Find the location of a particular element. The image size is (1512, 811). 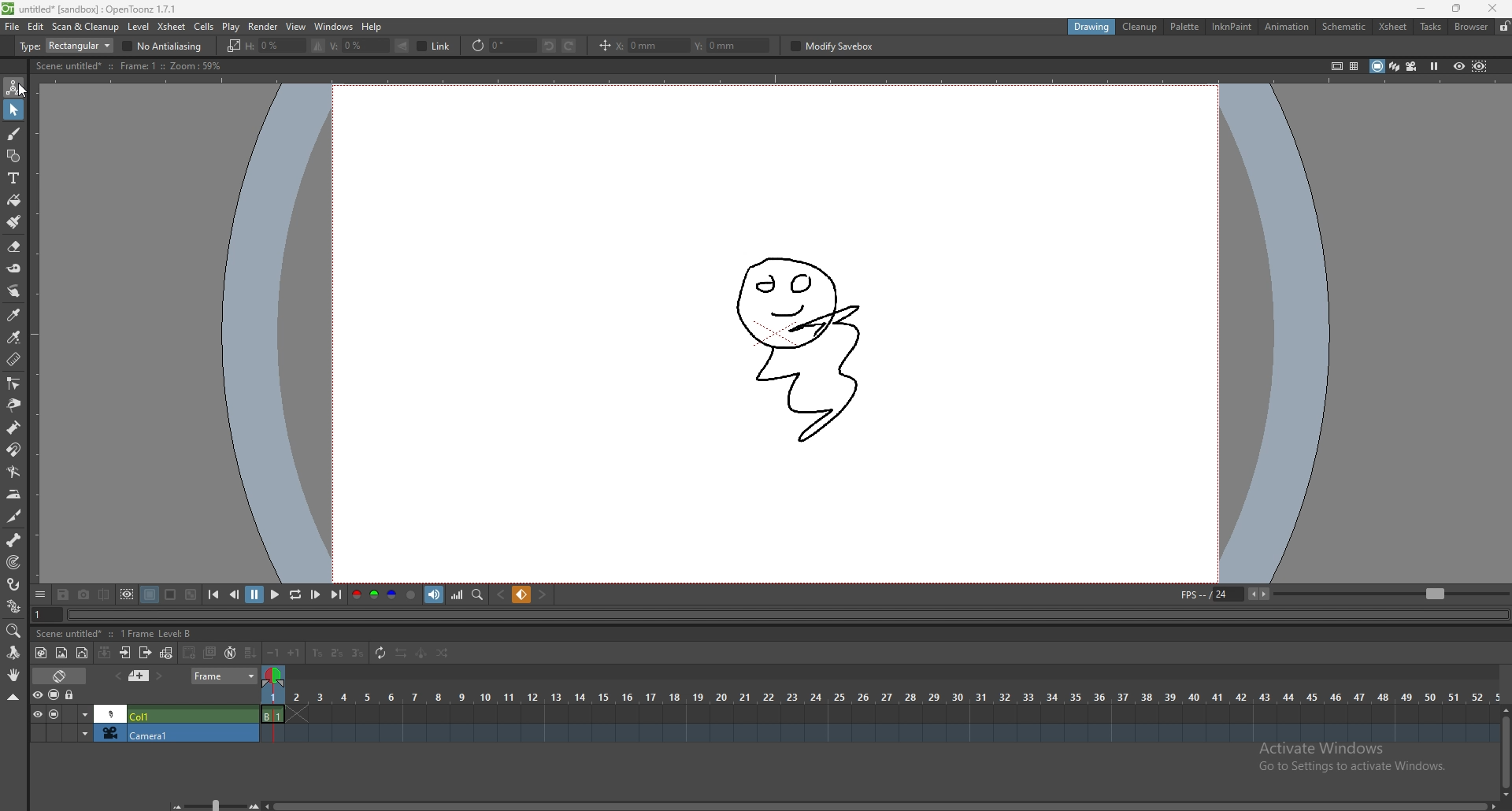

blue channel is located at coordinates (391, 594).